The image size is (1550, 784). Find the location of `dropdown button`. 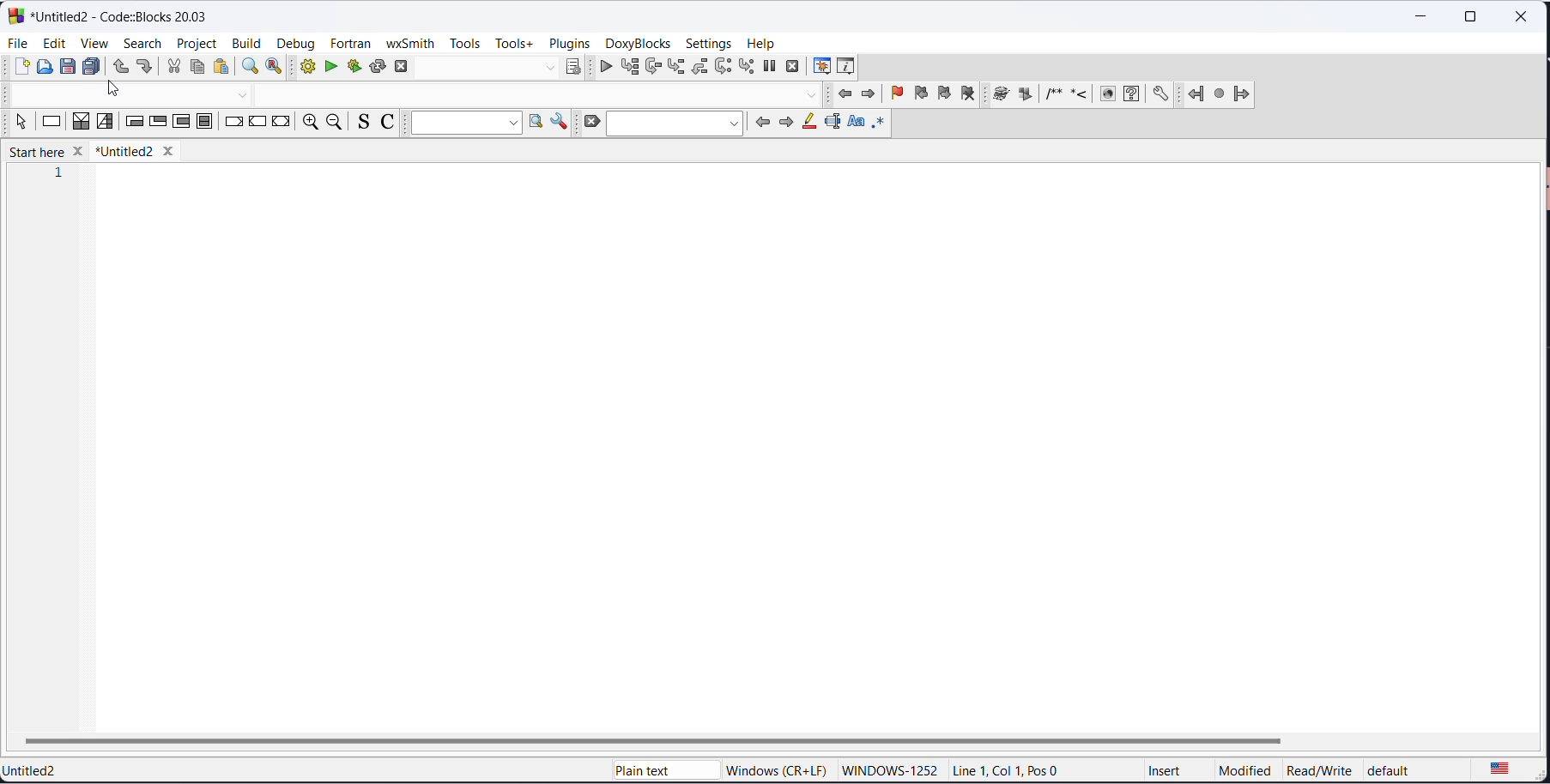

dropdown button is located at coordinates (814, 97).